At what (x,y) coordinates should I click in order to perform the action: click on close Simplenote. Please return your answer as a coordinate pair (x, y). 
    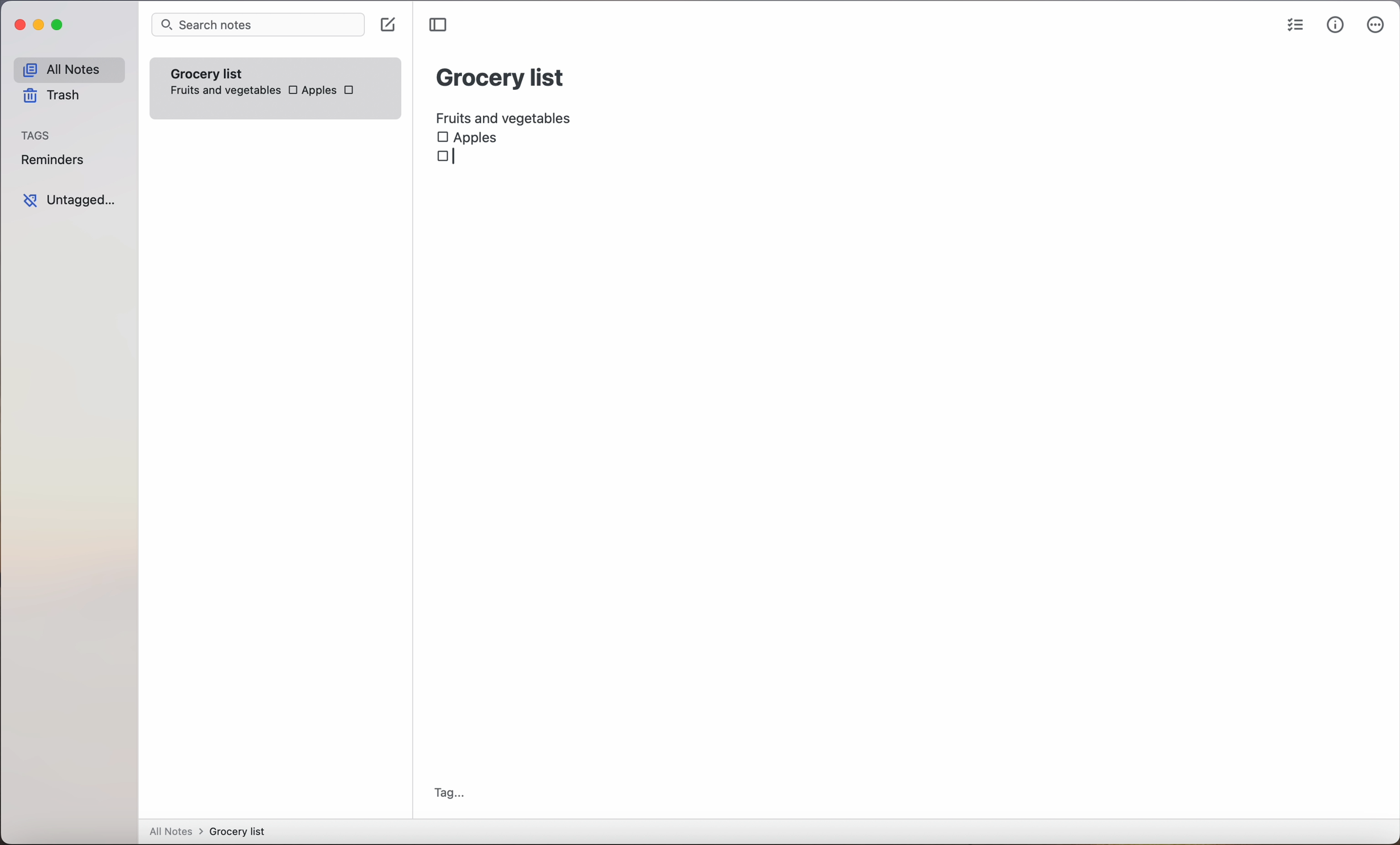
    Looking at the image, I should click on (19, 26).